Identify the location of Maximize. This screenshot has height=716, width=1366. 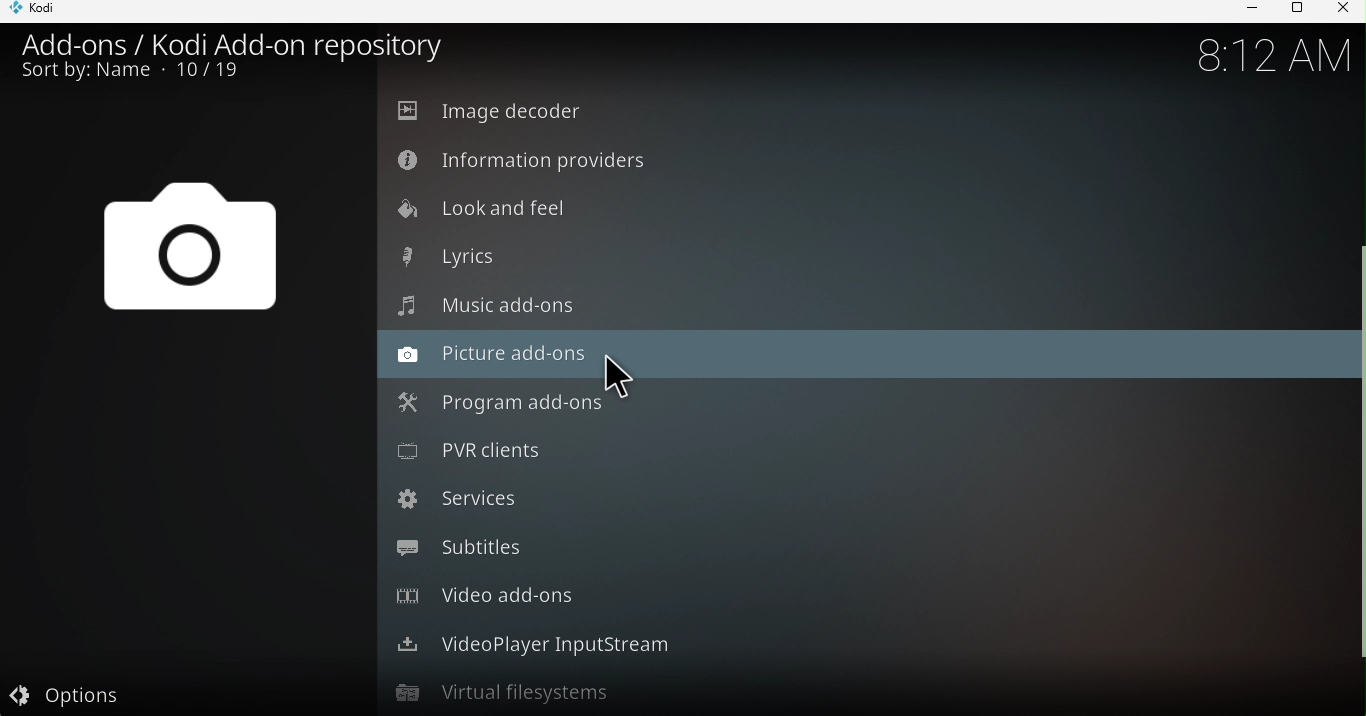
(1293, 11).